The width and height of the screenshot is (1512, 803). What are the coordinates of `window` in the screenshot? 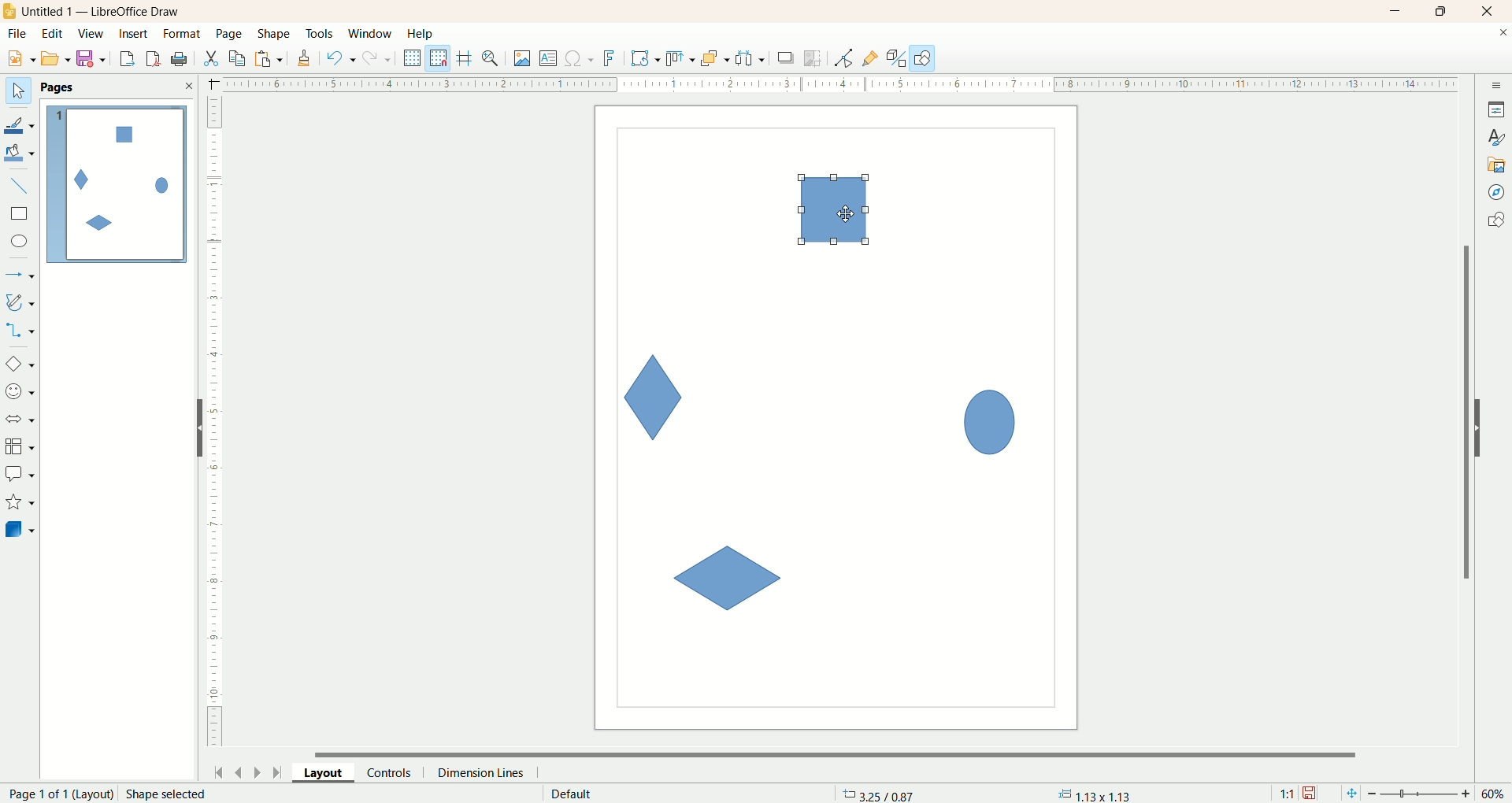 It's located at (374, 35).